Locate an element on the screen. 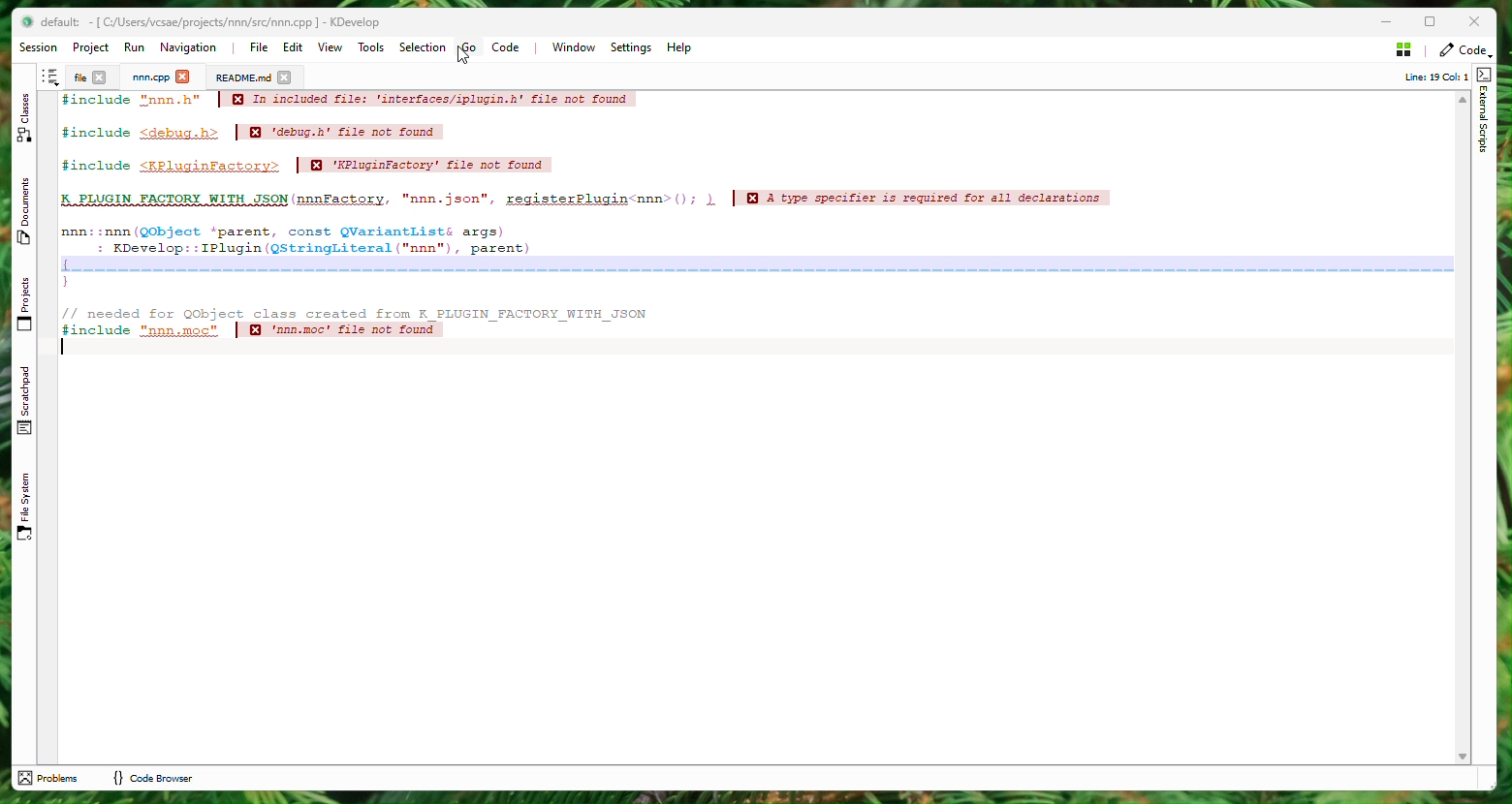 This screenshot has height=804, width=1512. Go is located at coordinates (469, 47).